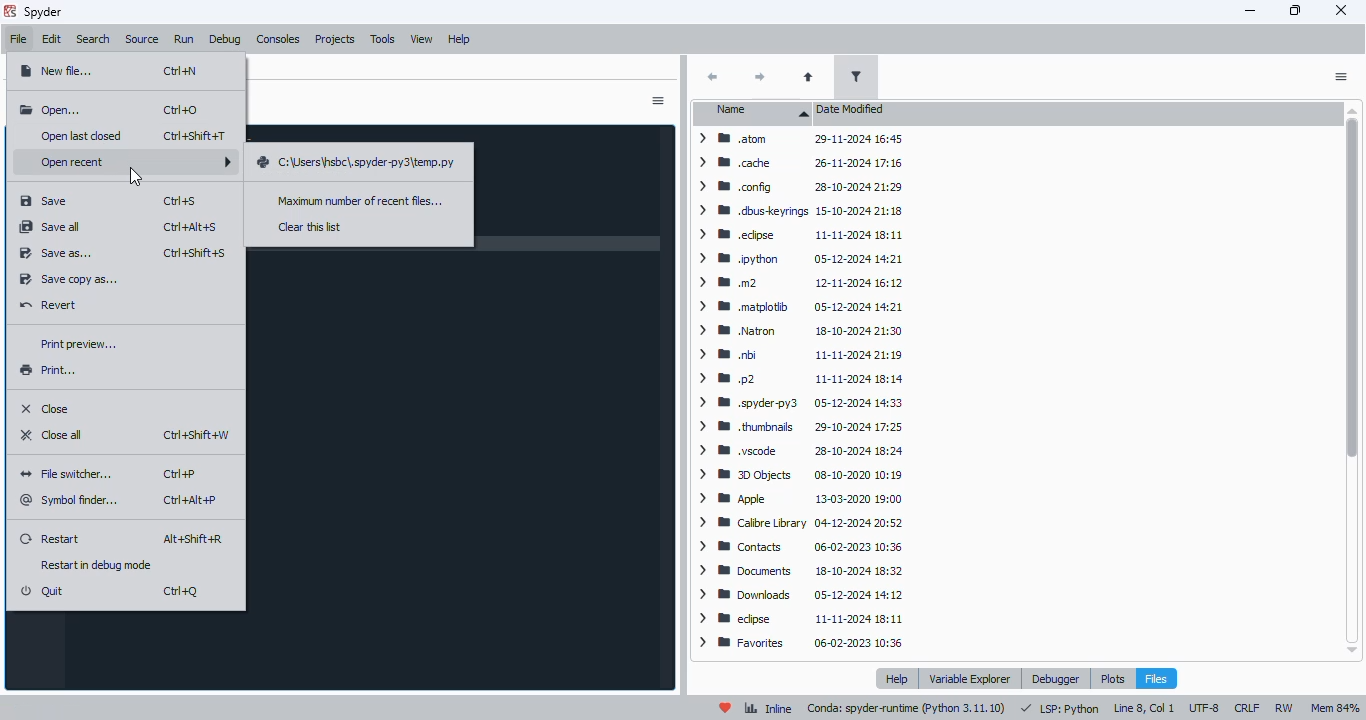  Describe the element at coordinates (797, 186) in the screenshot. I see `> MW config 28-10-2024 21:29` at that location.